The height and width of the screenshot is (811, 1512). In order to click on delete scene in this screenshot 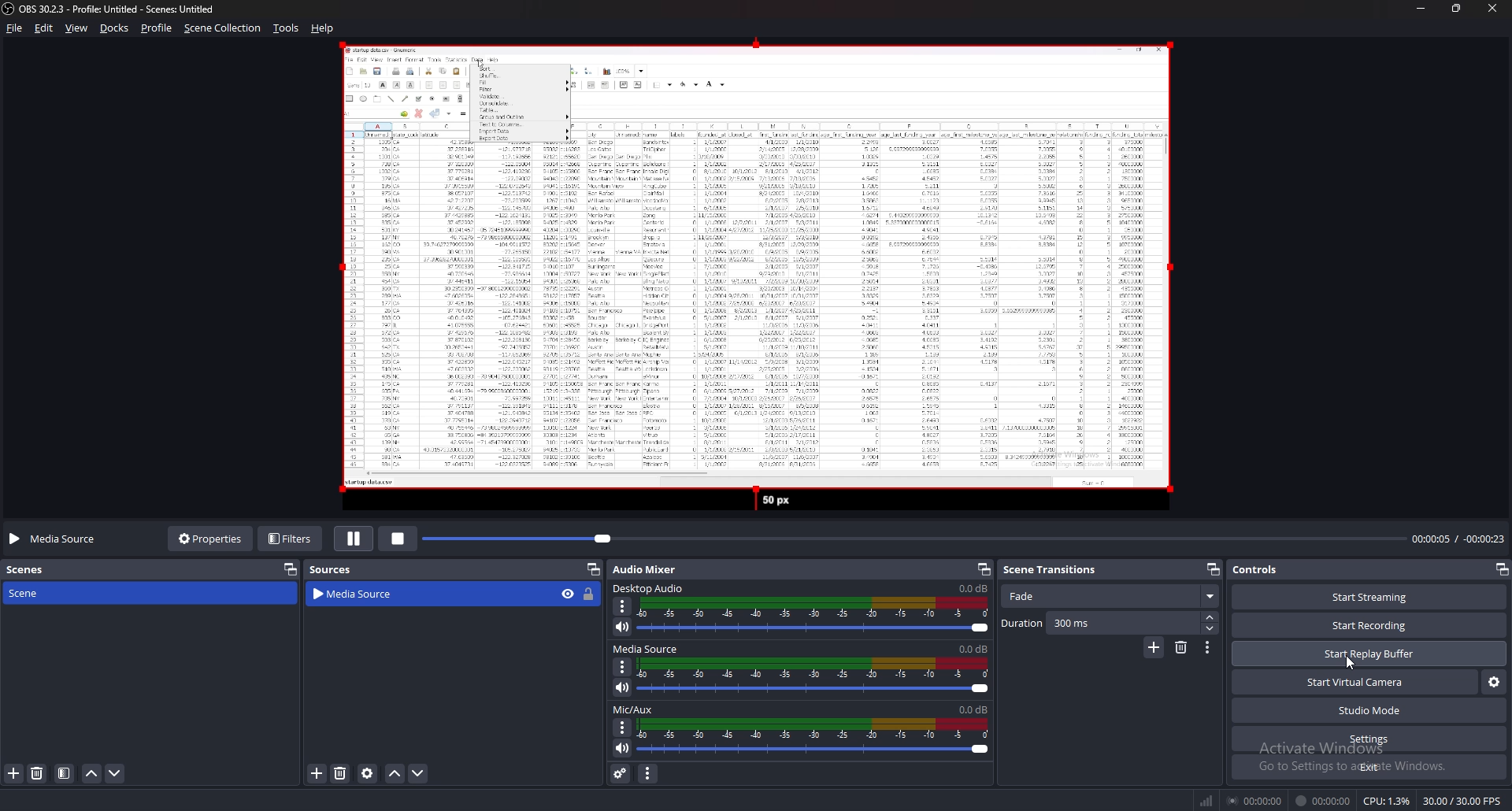, I will do `click(37, 772)`.